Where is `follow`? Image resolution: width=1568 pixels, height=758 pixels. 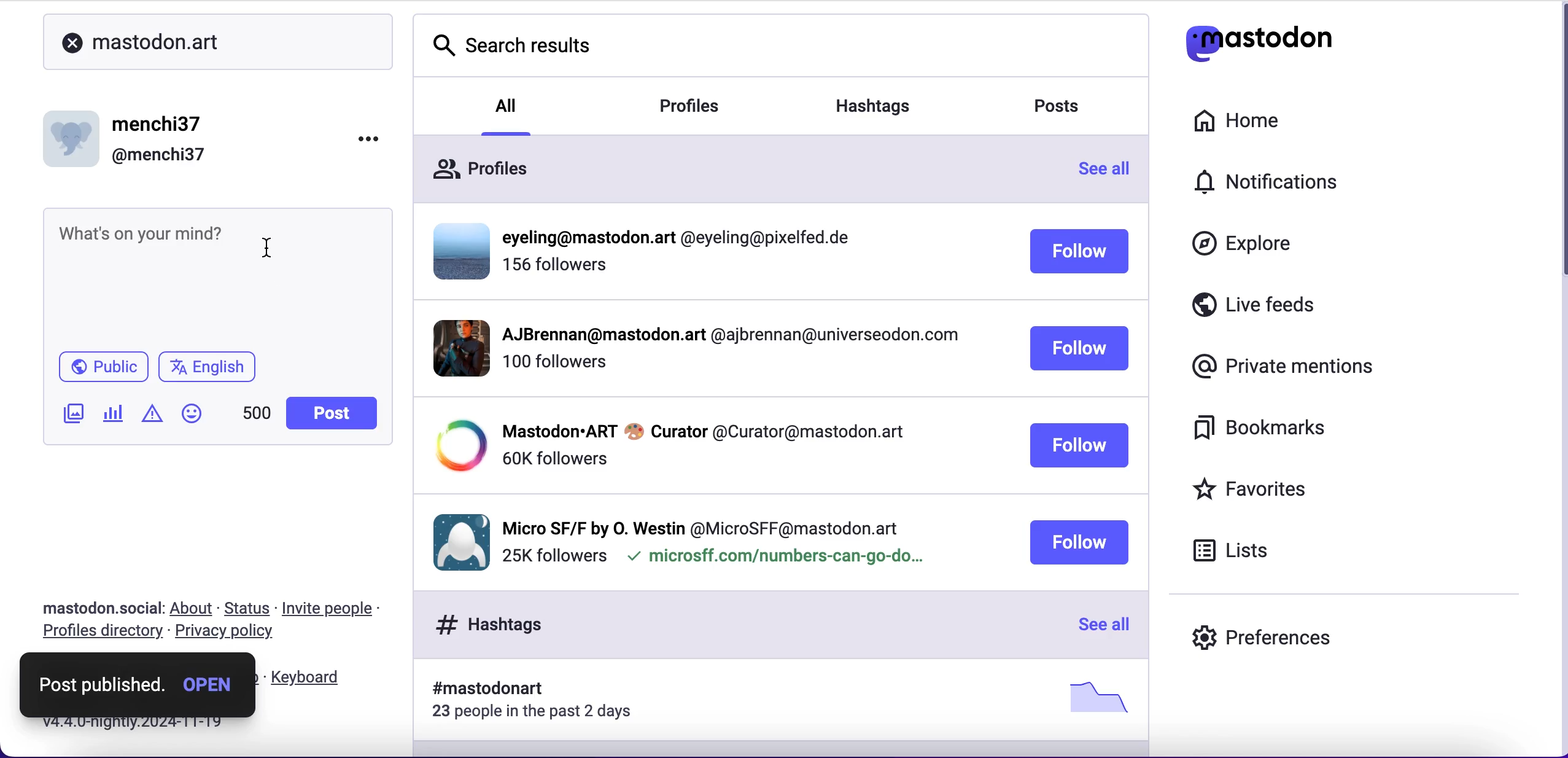
follow is located at coordinates (1080, 350).